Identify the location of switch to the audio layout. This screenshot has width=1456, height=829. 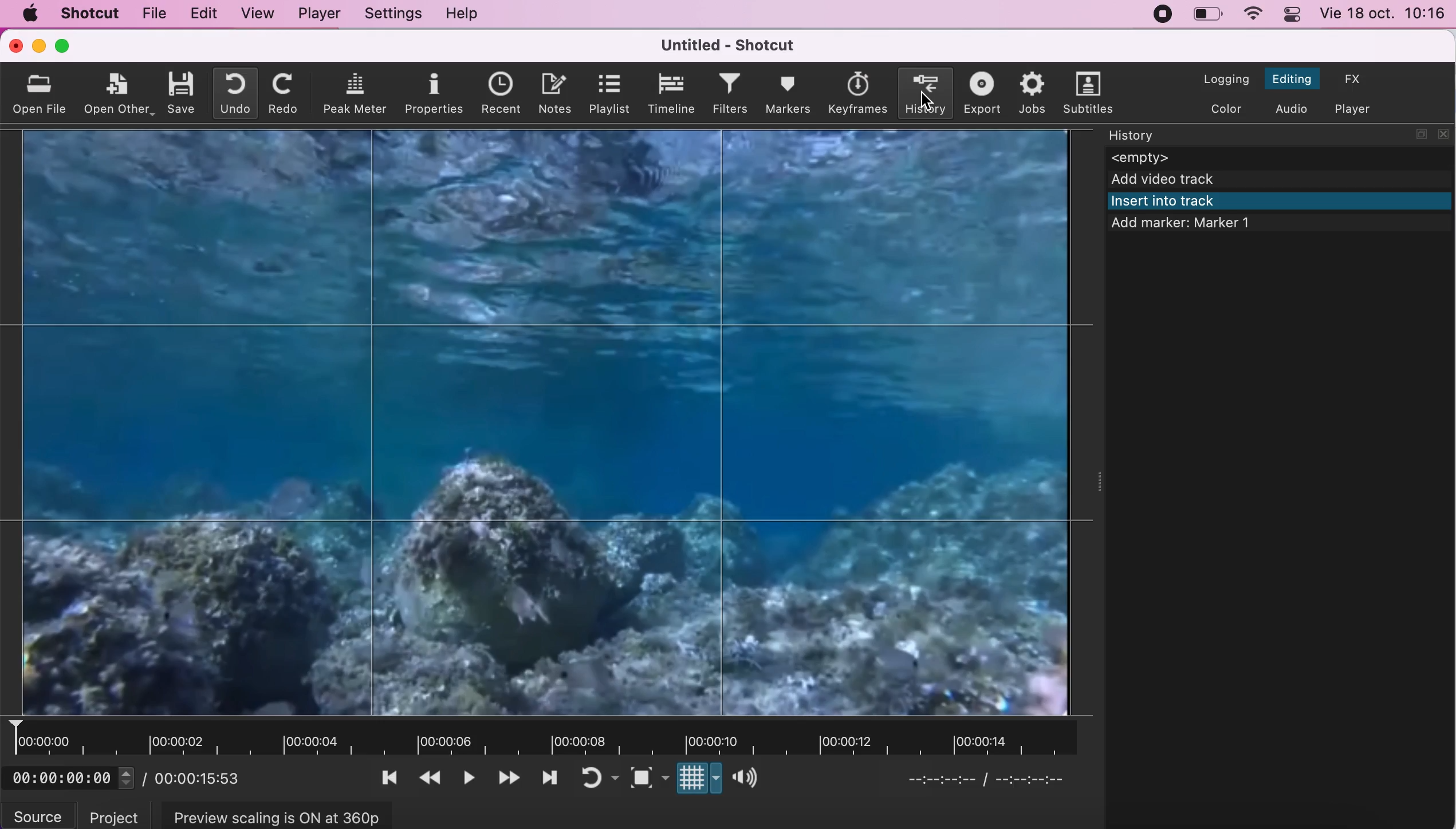
(1292, 108).